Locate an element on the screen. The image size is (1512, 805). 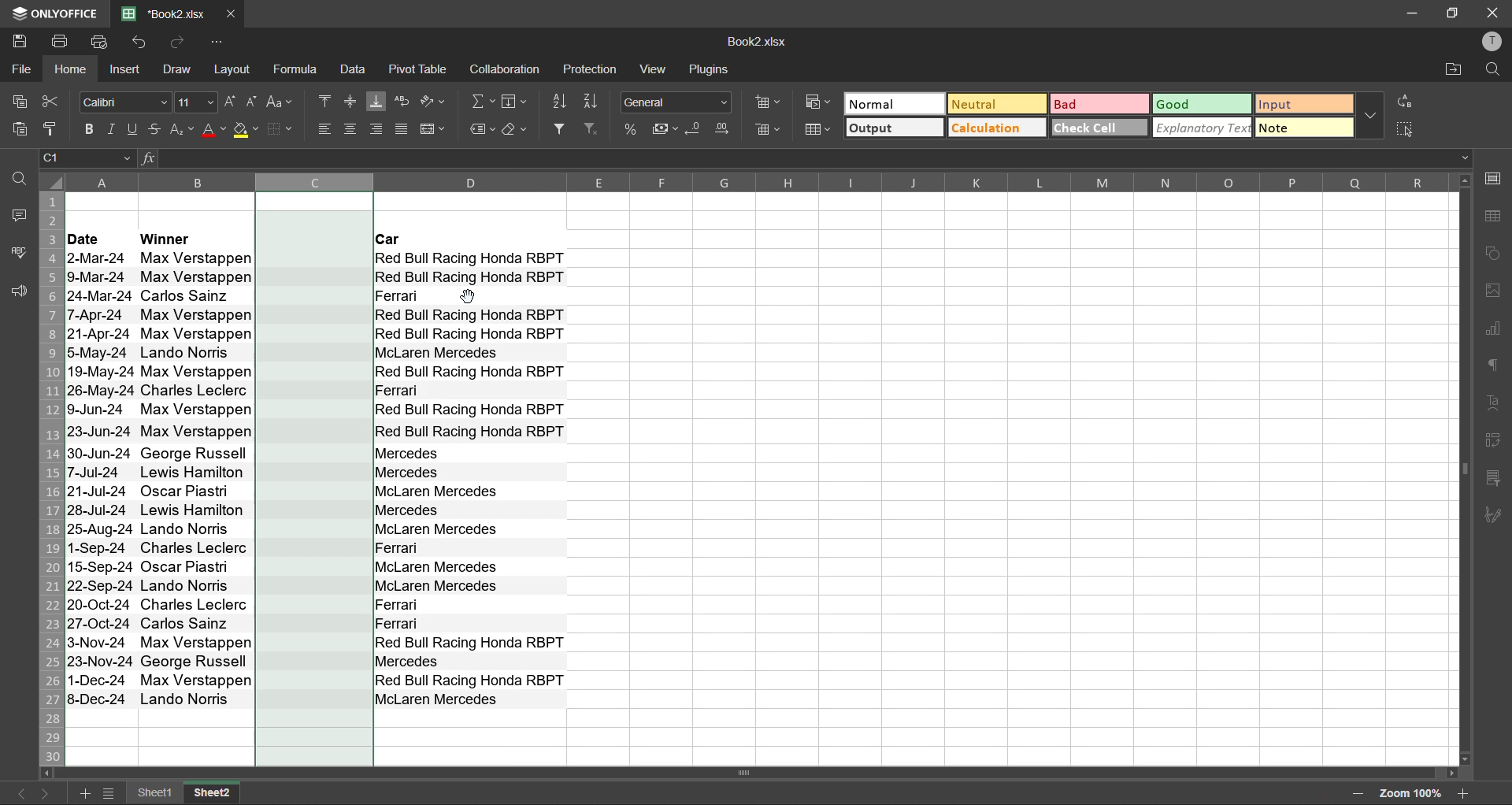
Max Verstappen
Max Verstappen
Carlos Sainz
Max Verstappen
Max Verstappen
Lando Norris
Max Verstappen
Charles Leclerc
Max Verstappen
Max Verstappen
George Russell
Lewis Hamilton
Oscar Piastri
Lewis Hamilton
Lando Norris
Charles Leclerc
Oscar Piastri
Lando Norris
Charles Leclerc
Carlos Sainz
Max Verstappen
George Russell
Max Verstappen
Lando Norris is located at coordinates (197, 479).